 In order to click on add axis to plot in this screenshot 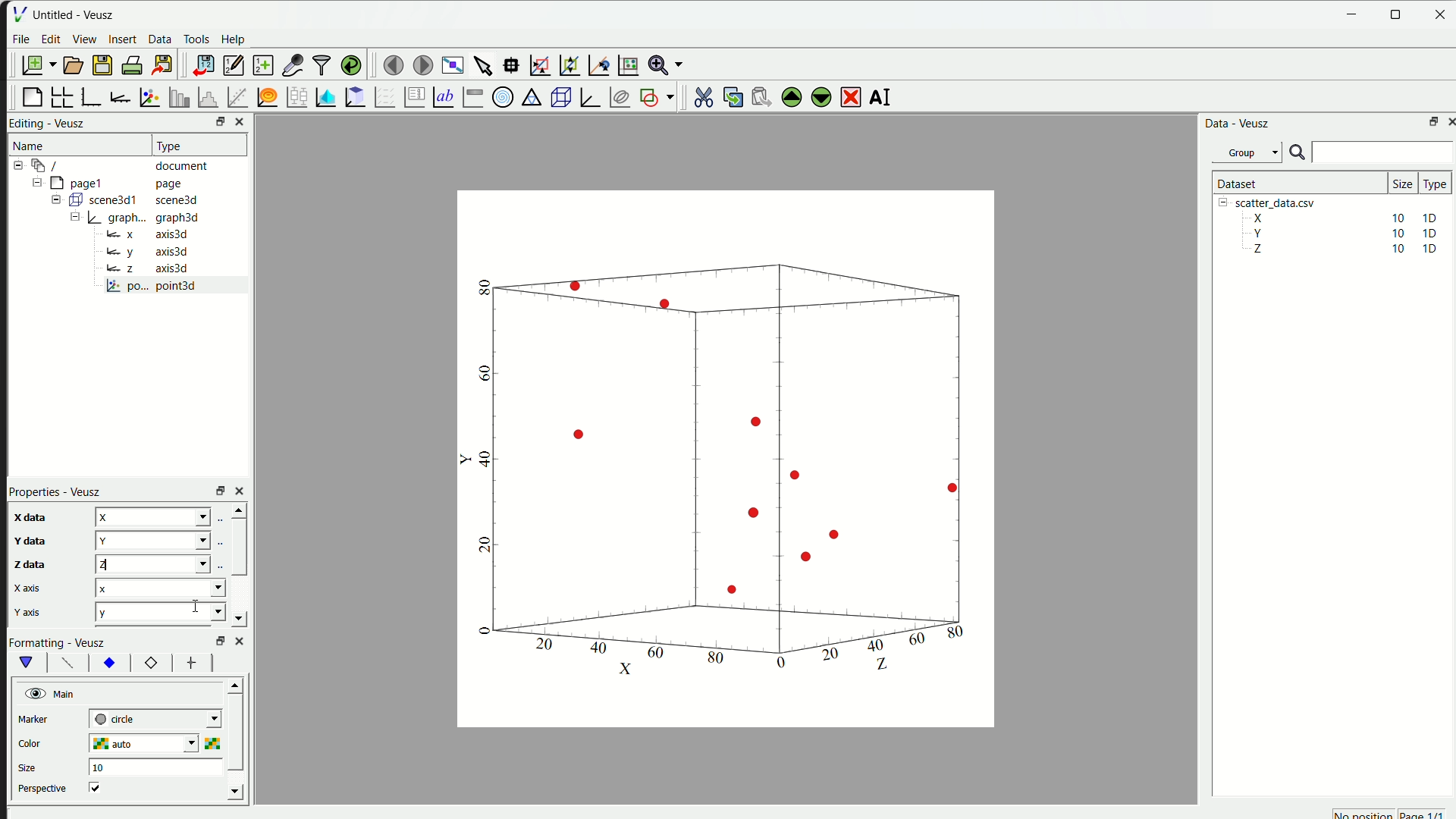, I will do `click(118, 96)`.